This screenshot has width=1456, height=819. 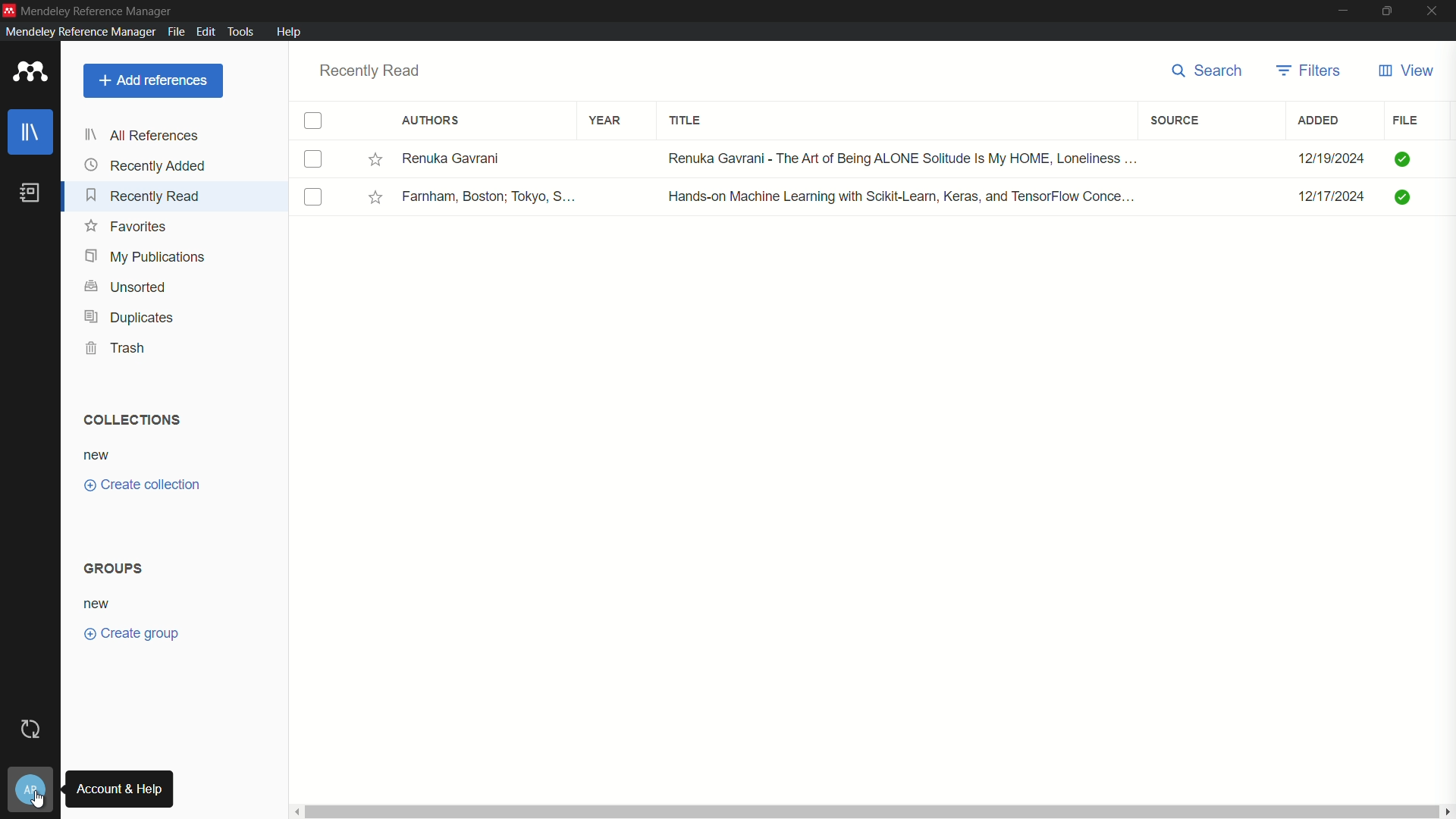 I want to click on mendeley reference manager, so click(x=80, y=32).